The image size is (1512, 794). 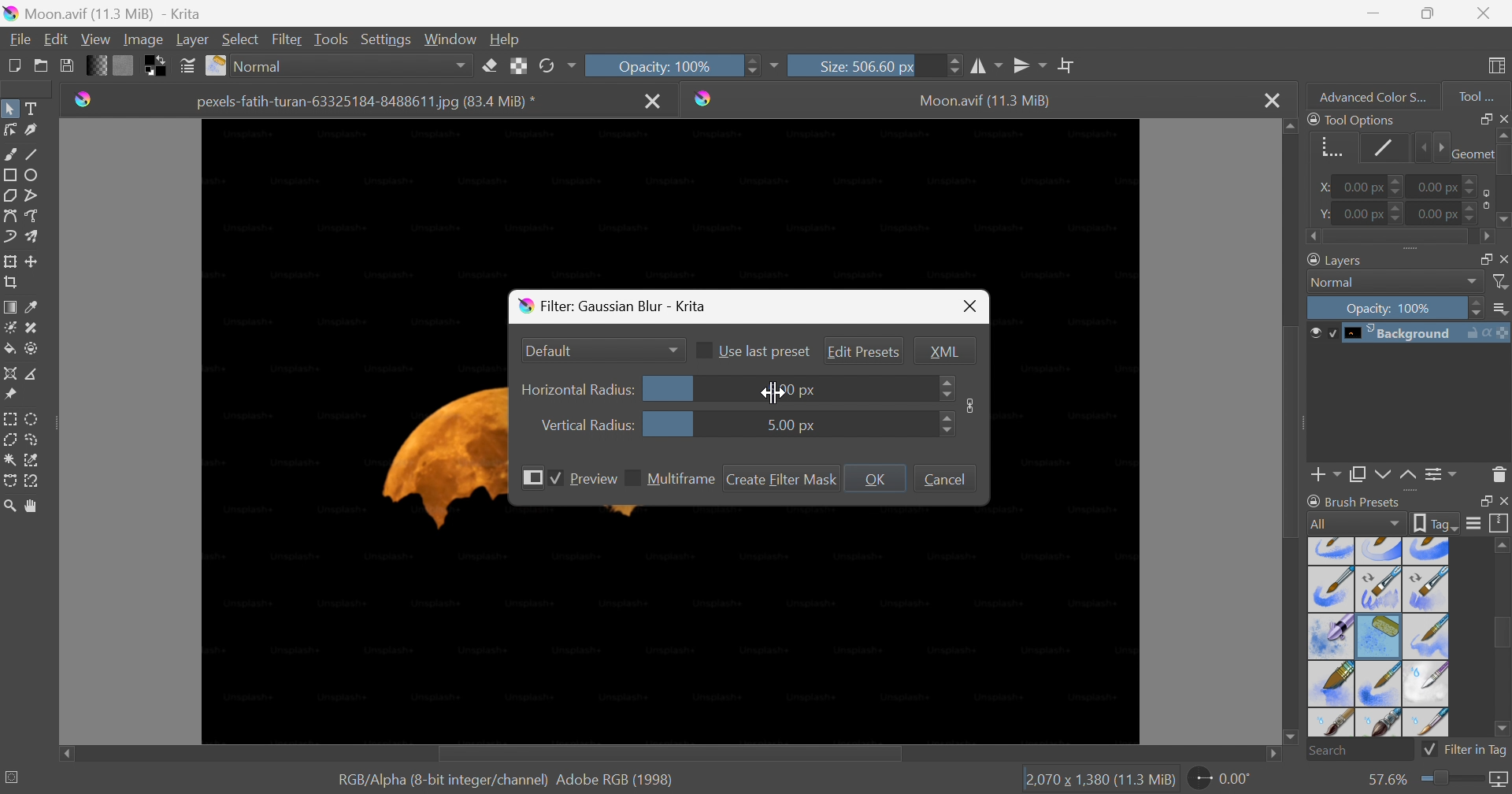 I want to click on Magnetic curve selection tool, so click(x=31, y=482).